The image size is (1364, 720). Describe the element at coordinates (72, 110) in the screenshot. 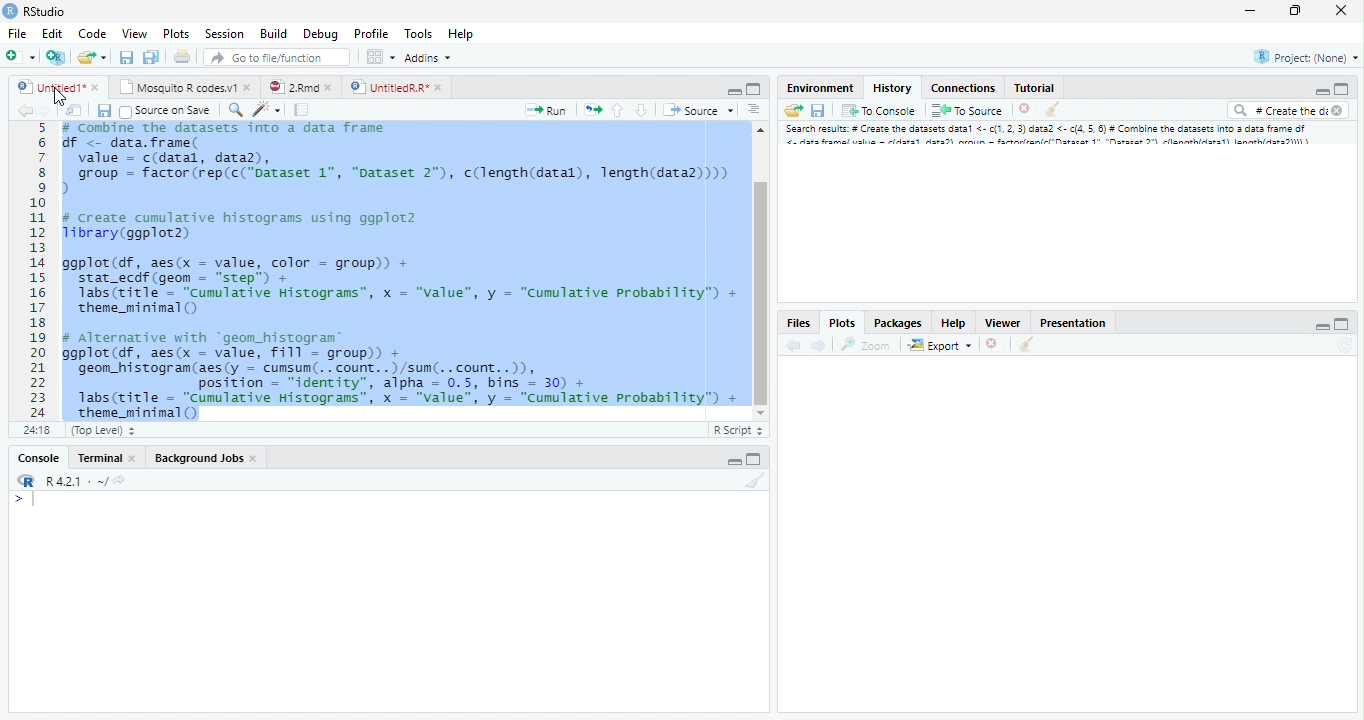

I see `Show in the new window` at that location.